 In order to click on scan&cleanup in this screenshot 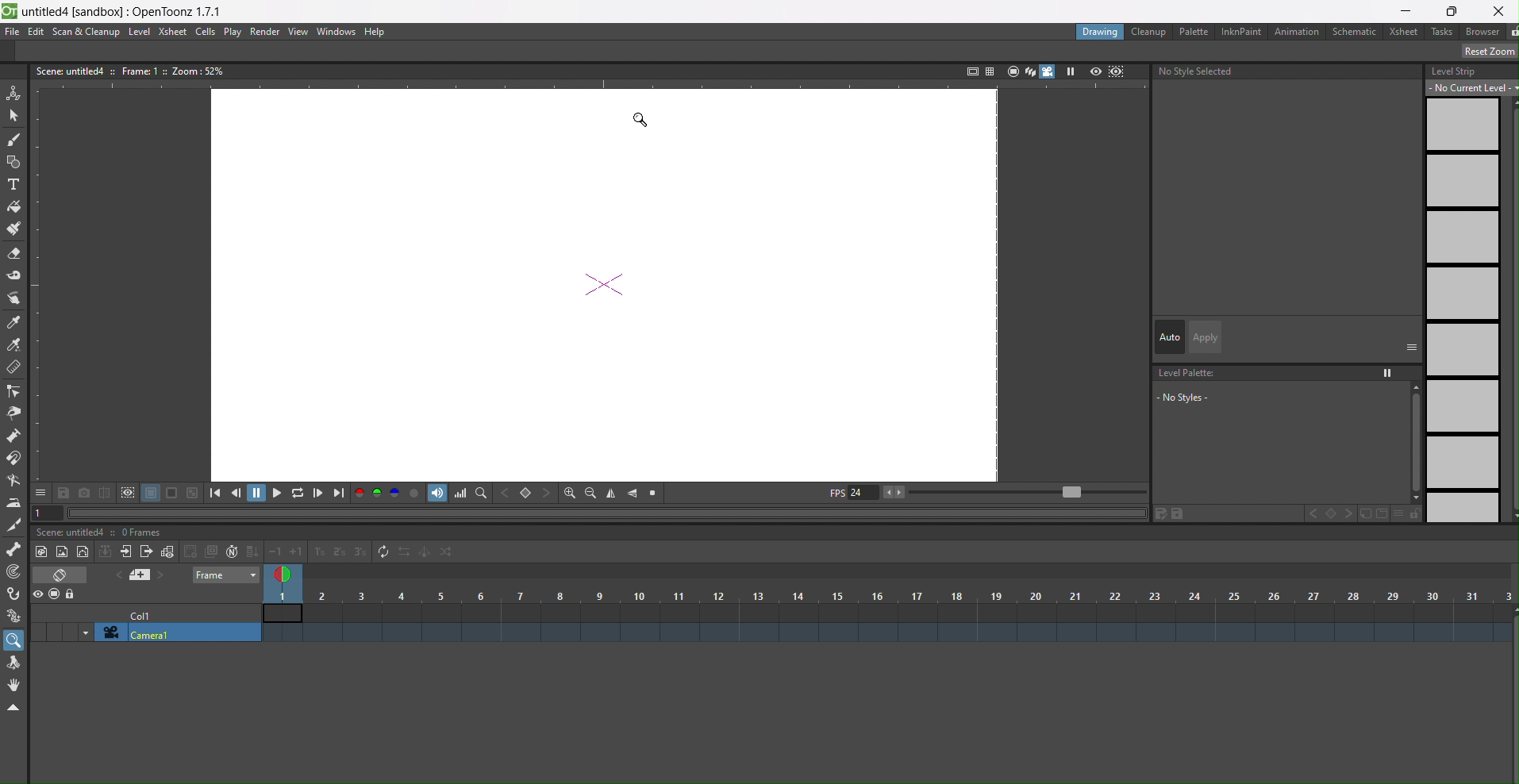, I will do `click(87, 33)`.